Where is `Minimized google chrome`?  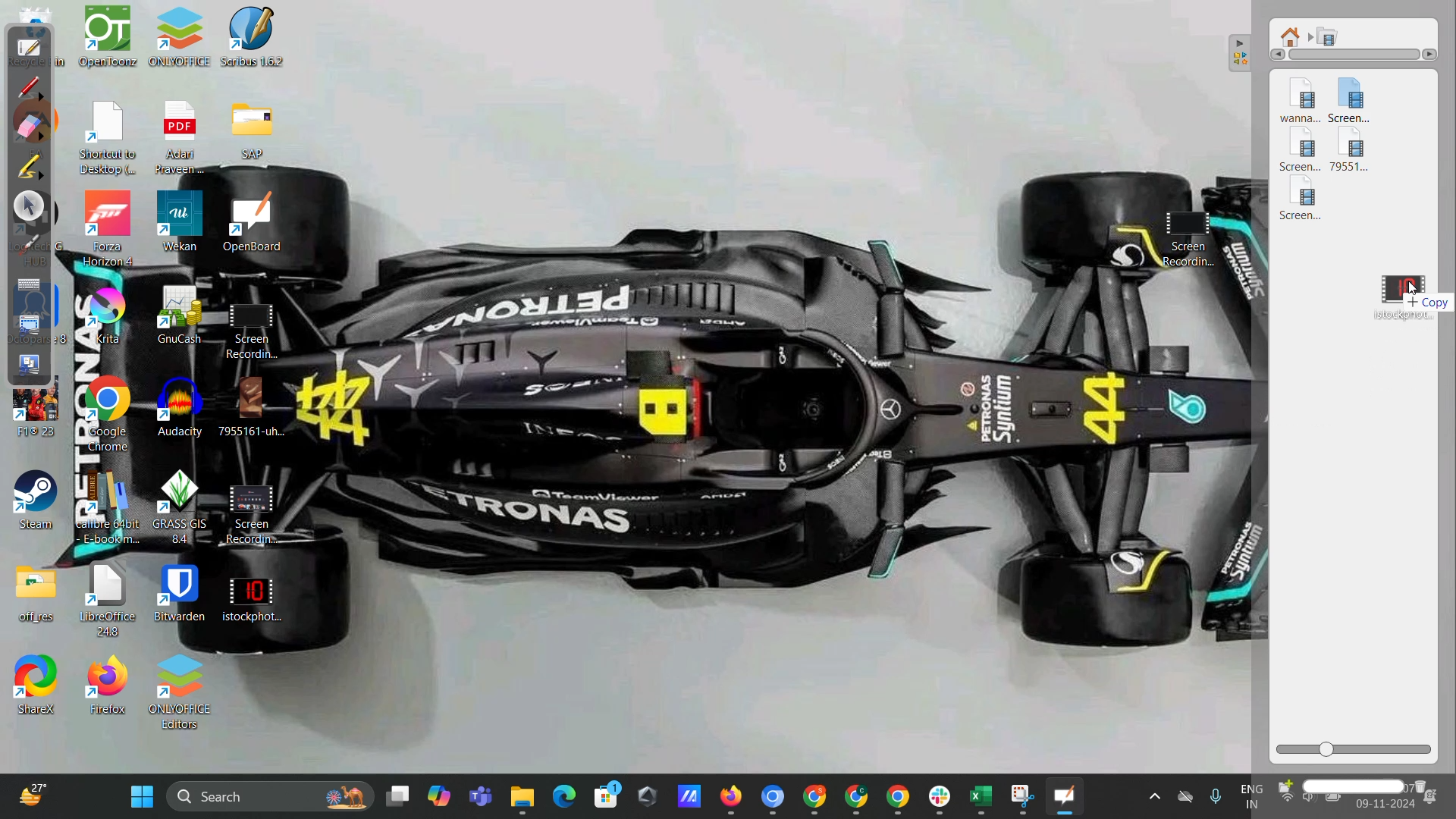
Minimized google chrome is located at coordinates (818, 796).